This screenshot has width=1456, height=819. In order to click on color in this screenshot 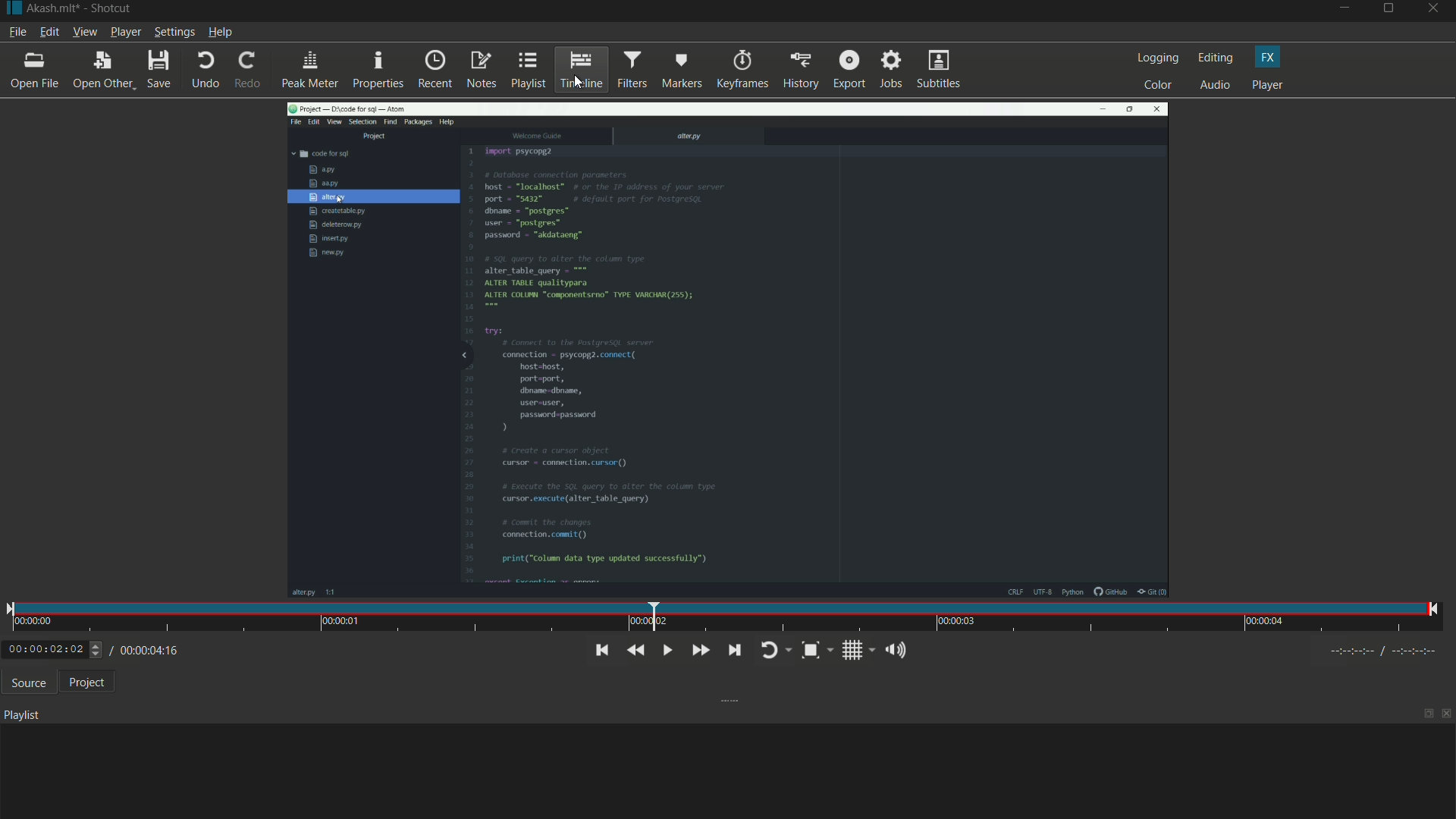, I will do `click(1157, 85)`.